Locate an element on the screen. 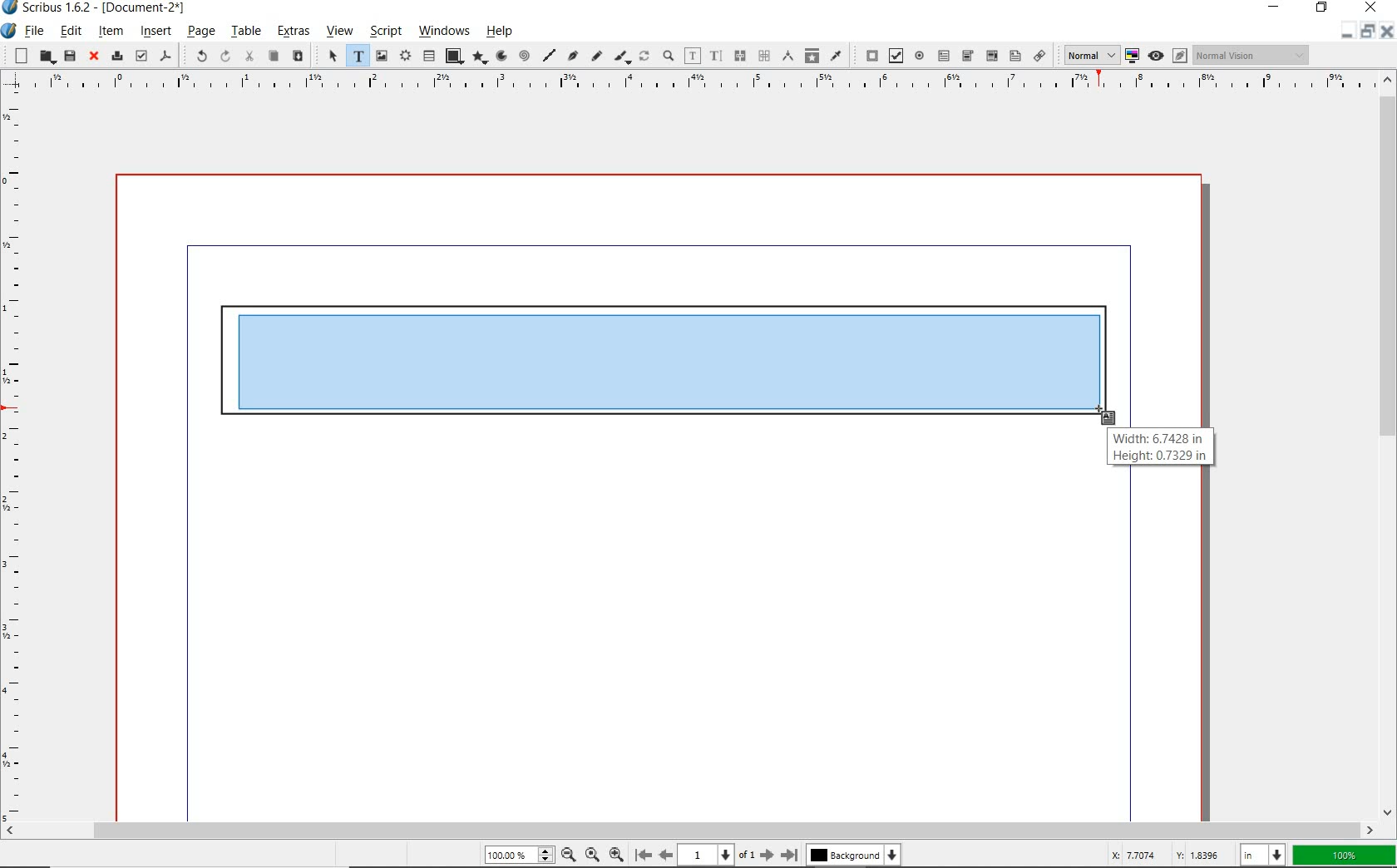 This screenshot has height=868, width=1397. open is located at coordinates (45, 57).